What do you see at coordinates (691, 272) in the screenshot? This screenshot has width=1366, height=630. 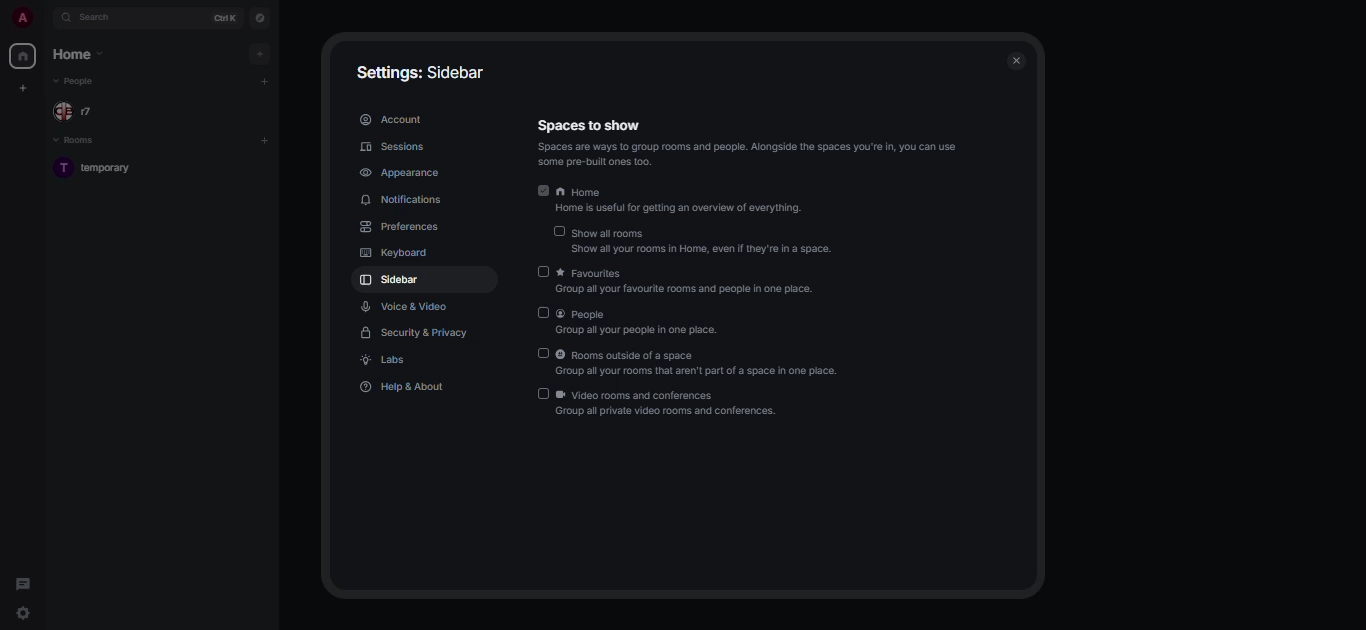 I see `favorites` at bounding box center [691, 272].